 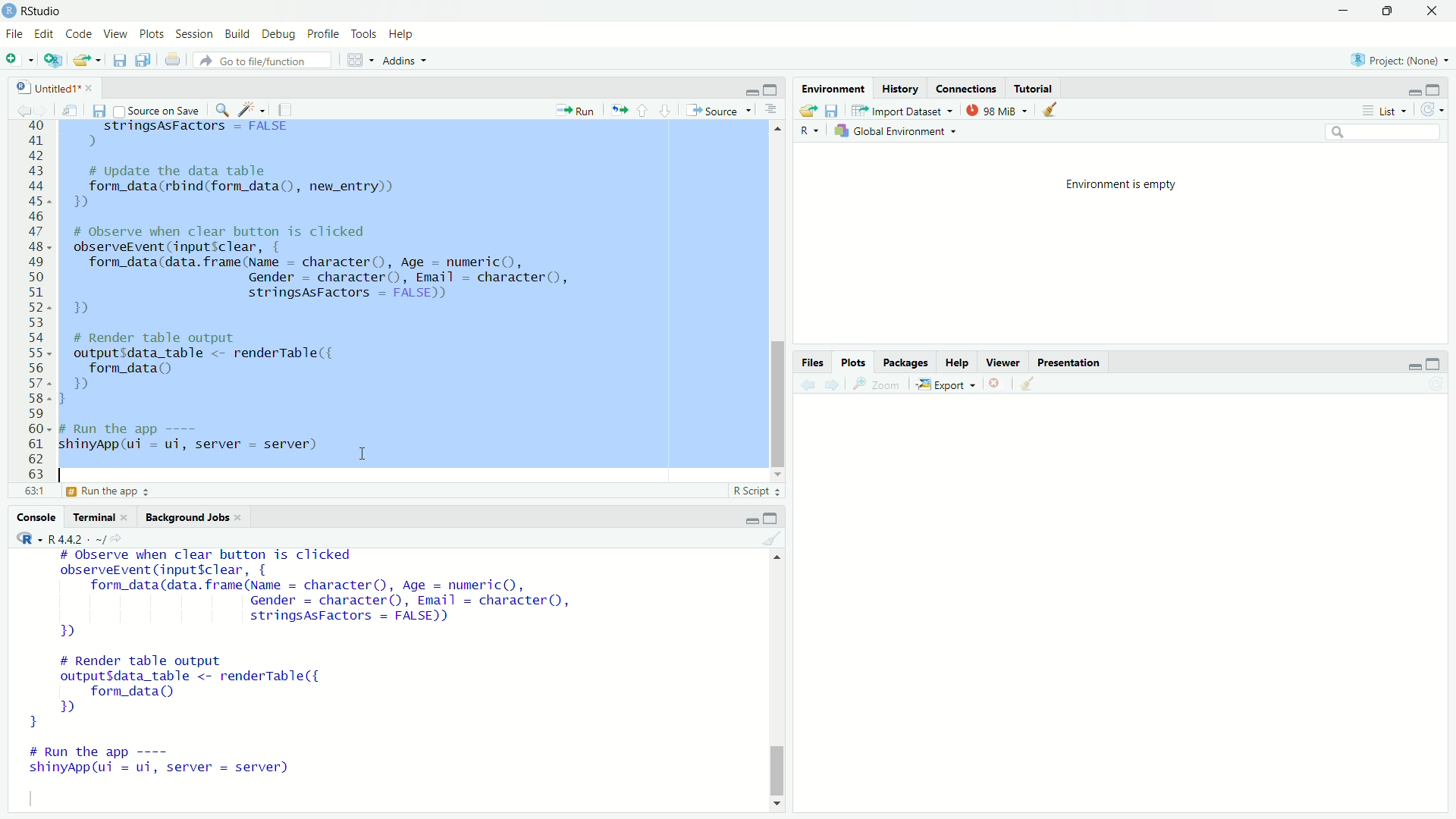 What do you see at coordinates (68, 472) in the screenshot?
I see `typing cursor` at bounding box center [68, 472].